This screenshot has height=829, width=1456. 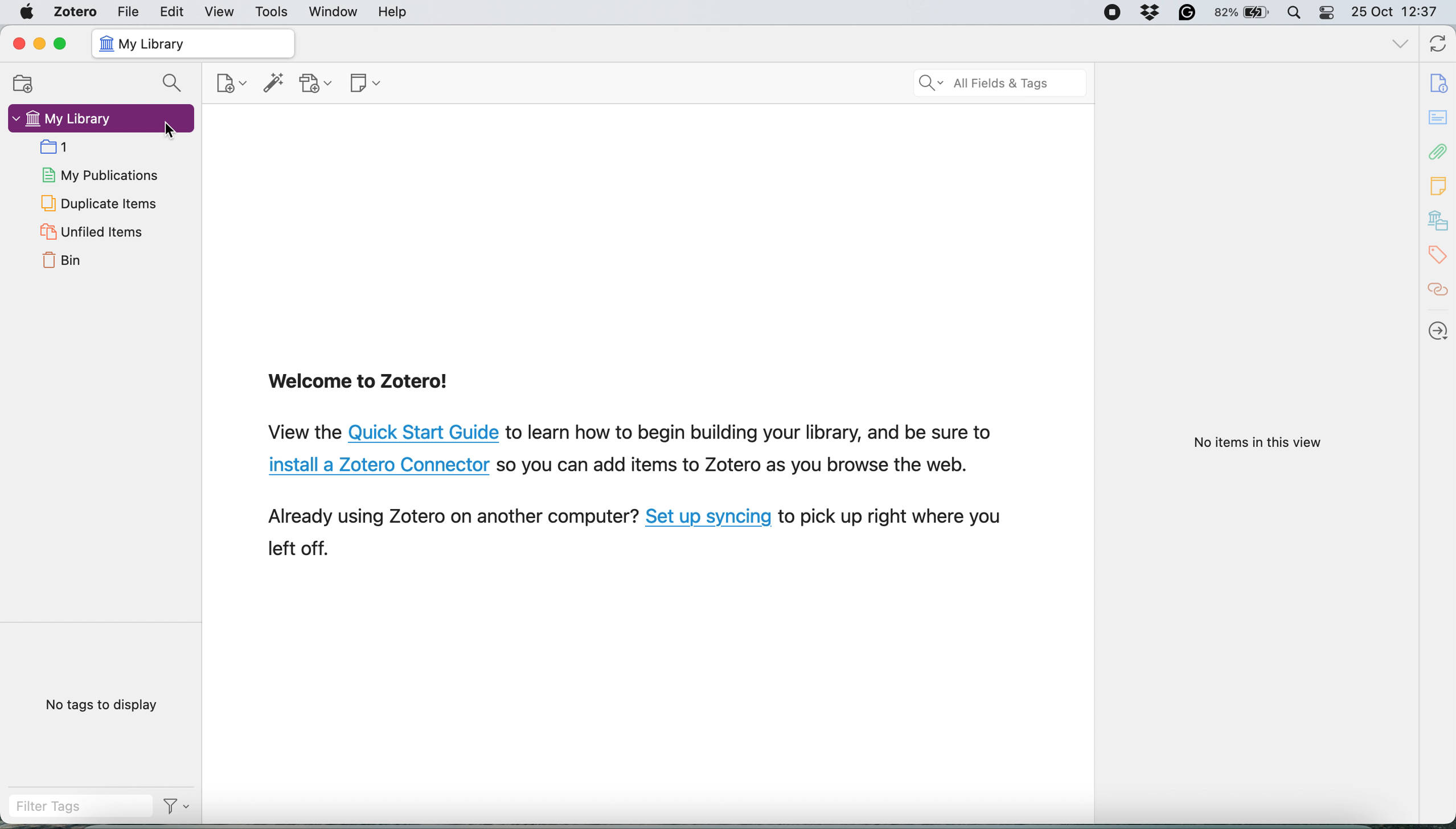 I want to click on control center, so click(x=1328, y=13).